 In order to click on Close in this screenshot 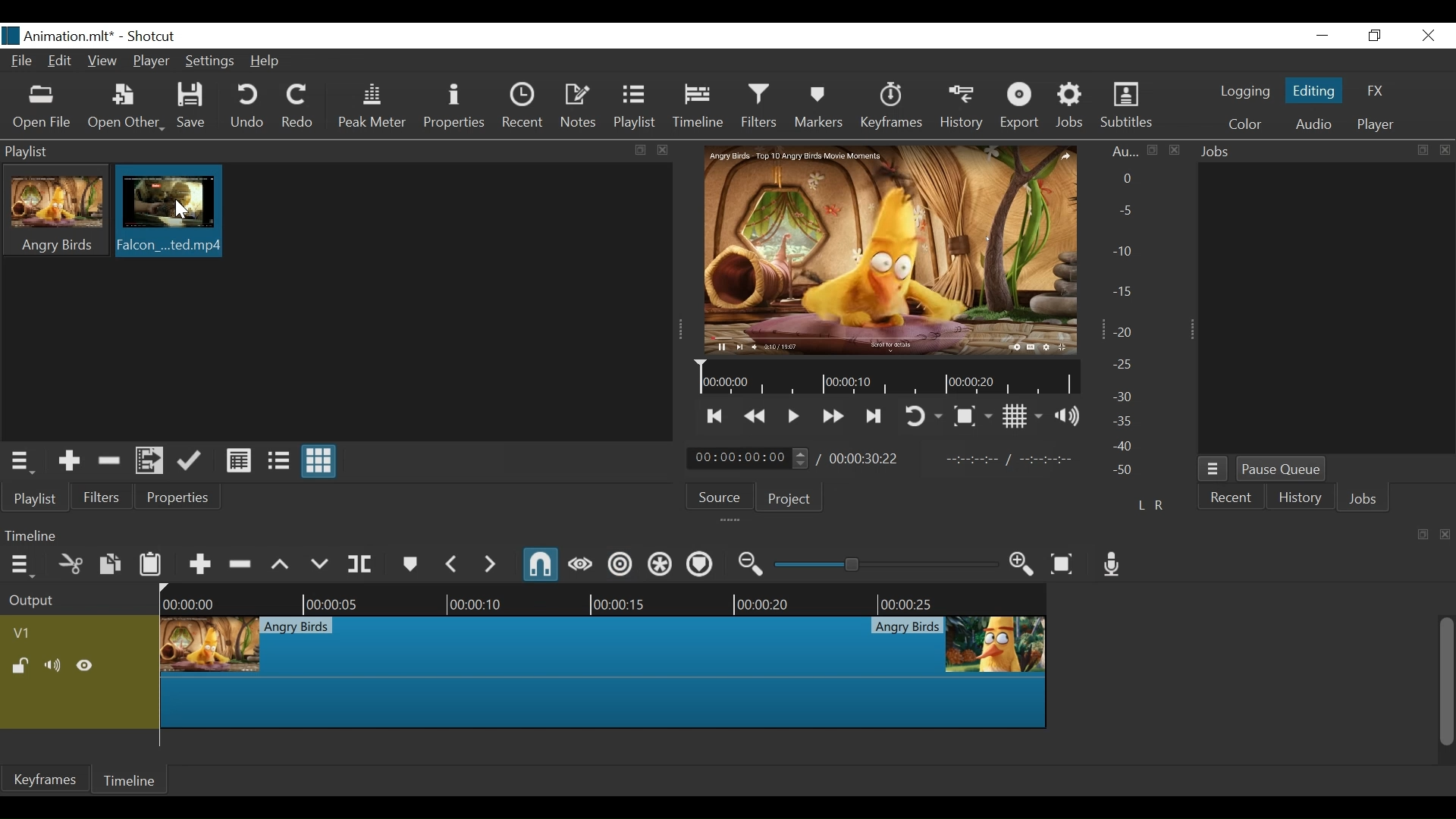, I will do `click(1429, 36)`.